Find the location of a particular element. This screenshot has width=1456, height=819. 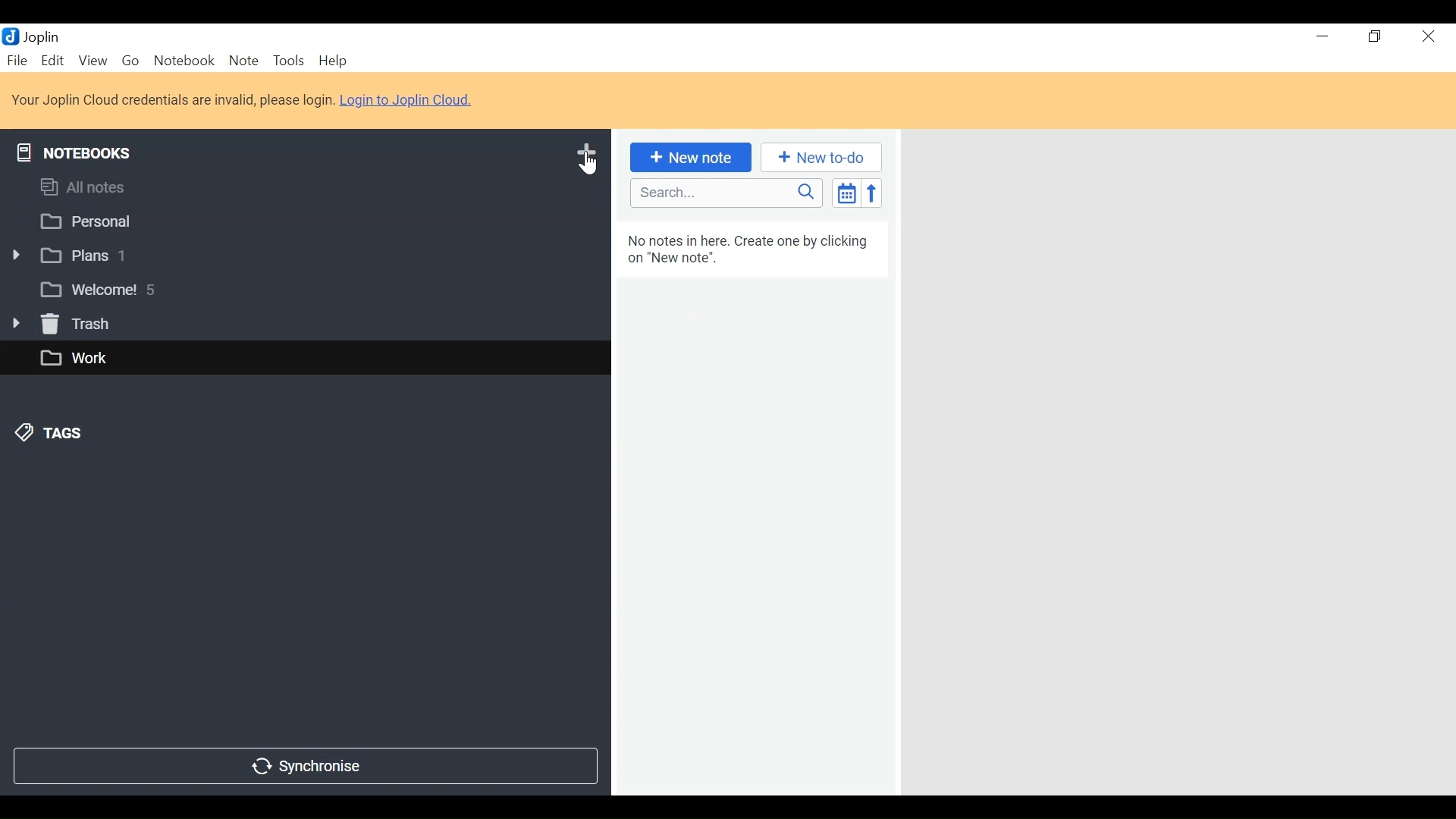

Trash is located at coordinates (59, 325).